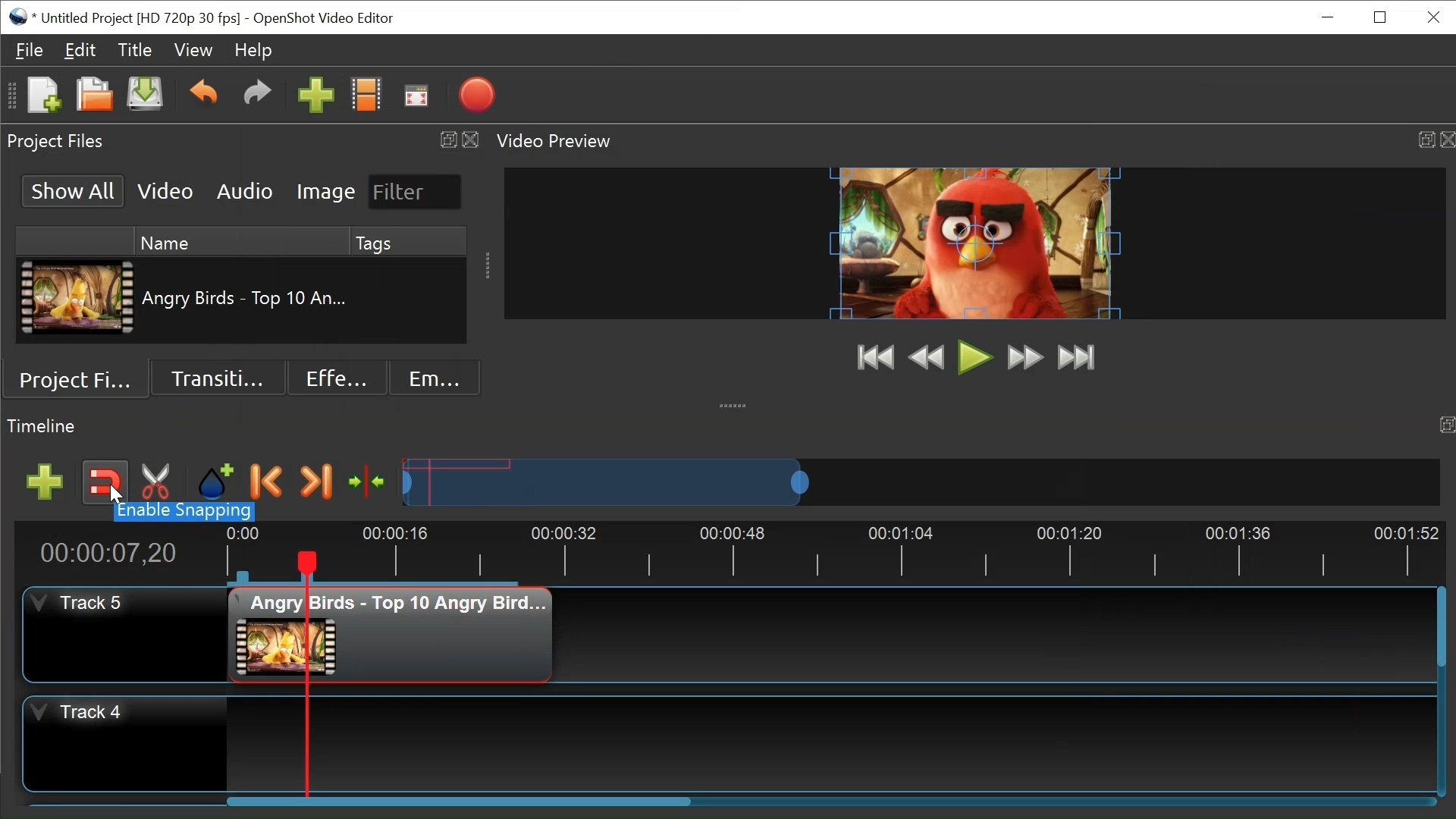 This screenshot has height=819, width=1456. Describe the element at coordinates (106, 554) in the screenshot. I see `Current Position` at that location.